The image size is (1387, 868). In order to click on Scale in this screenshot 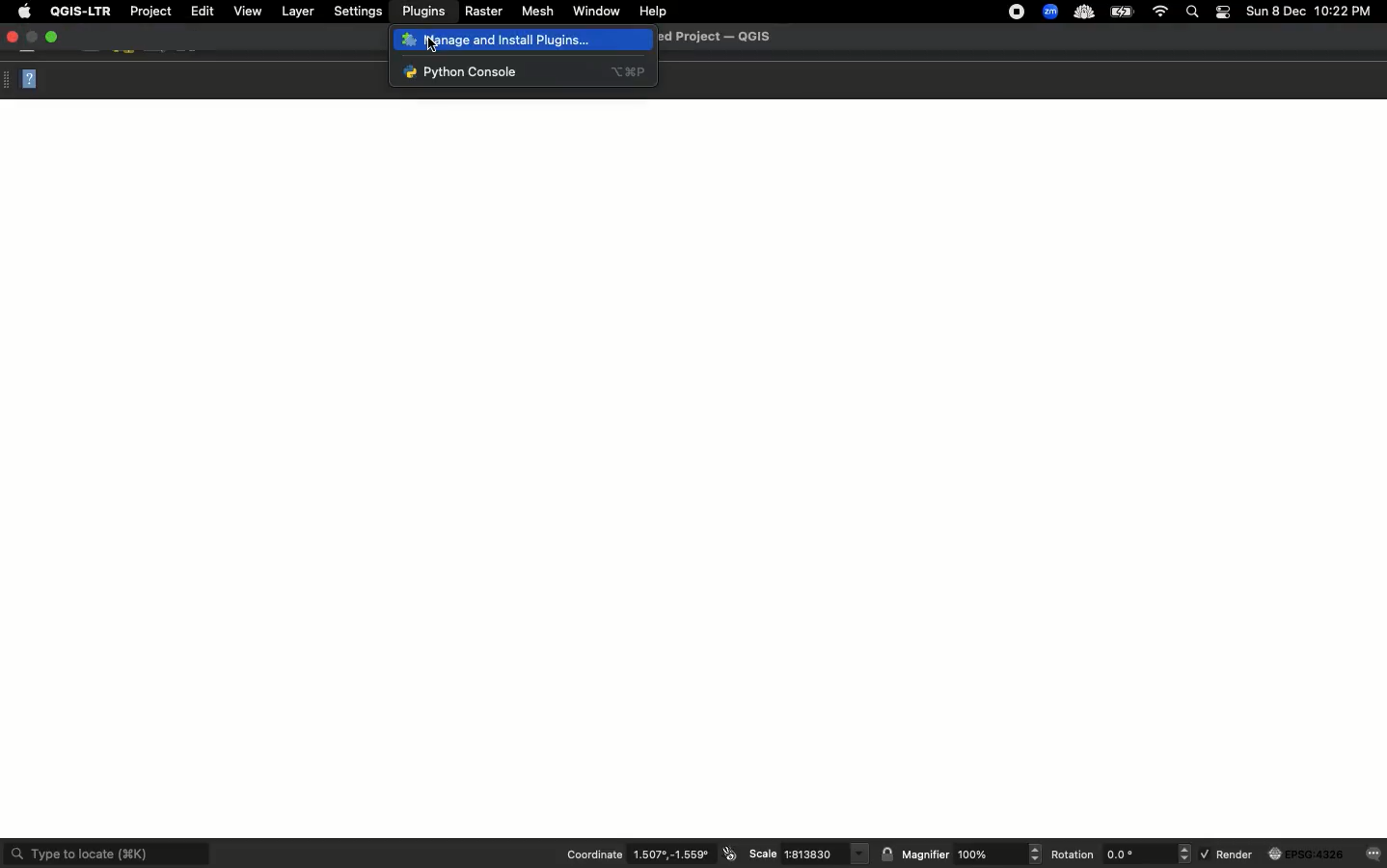, I will do `click(763, 853)`.